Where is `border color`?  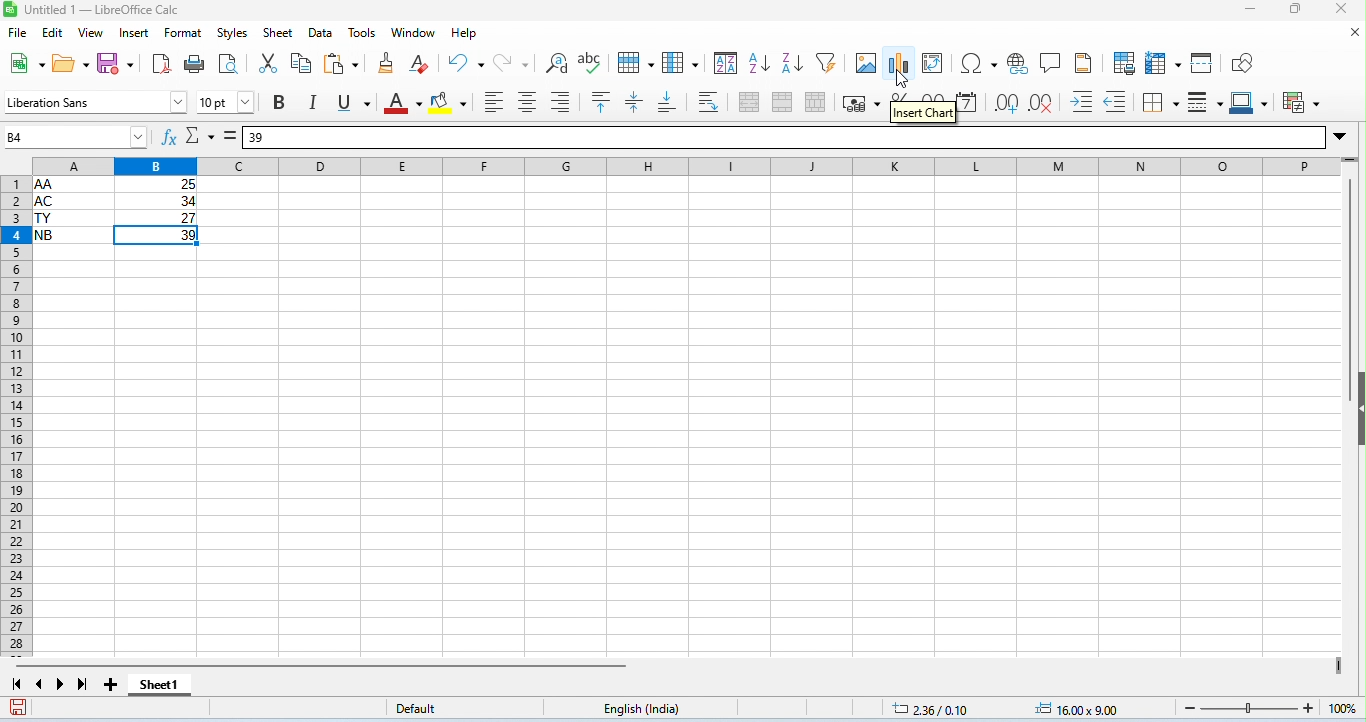 border color is located at coordinates (1251, 105).